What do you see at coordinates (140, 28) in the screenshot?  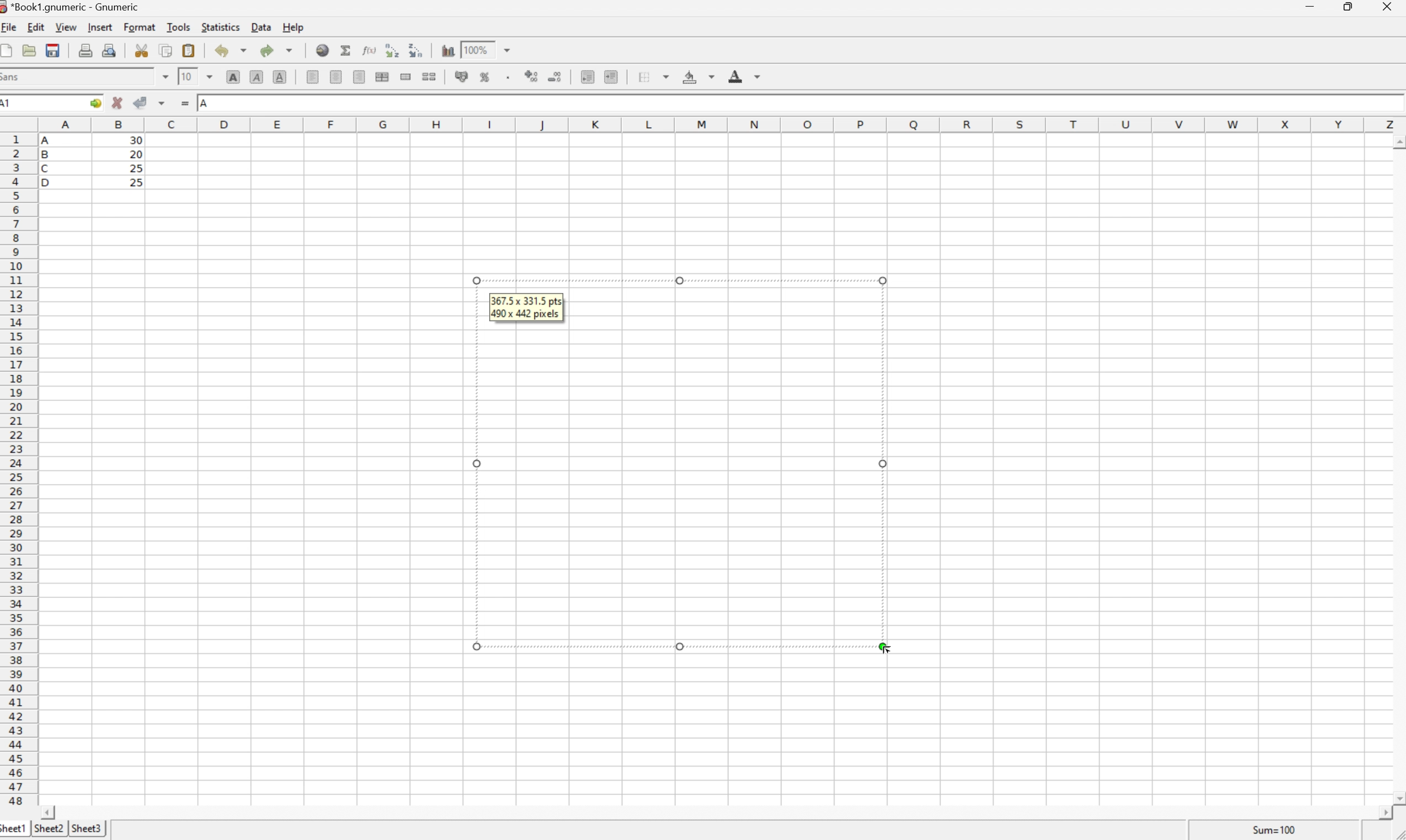 I see `Format` at bounding box center [140, 28].